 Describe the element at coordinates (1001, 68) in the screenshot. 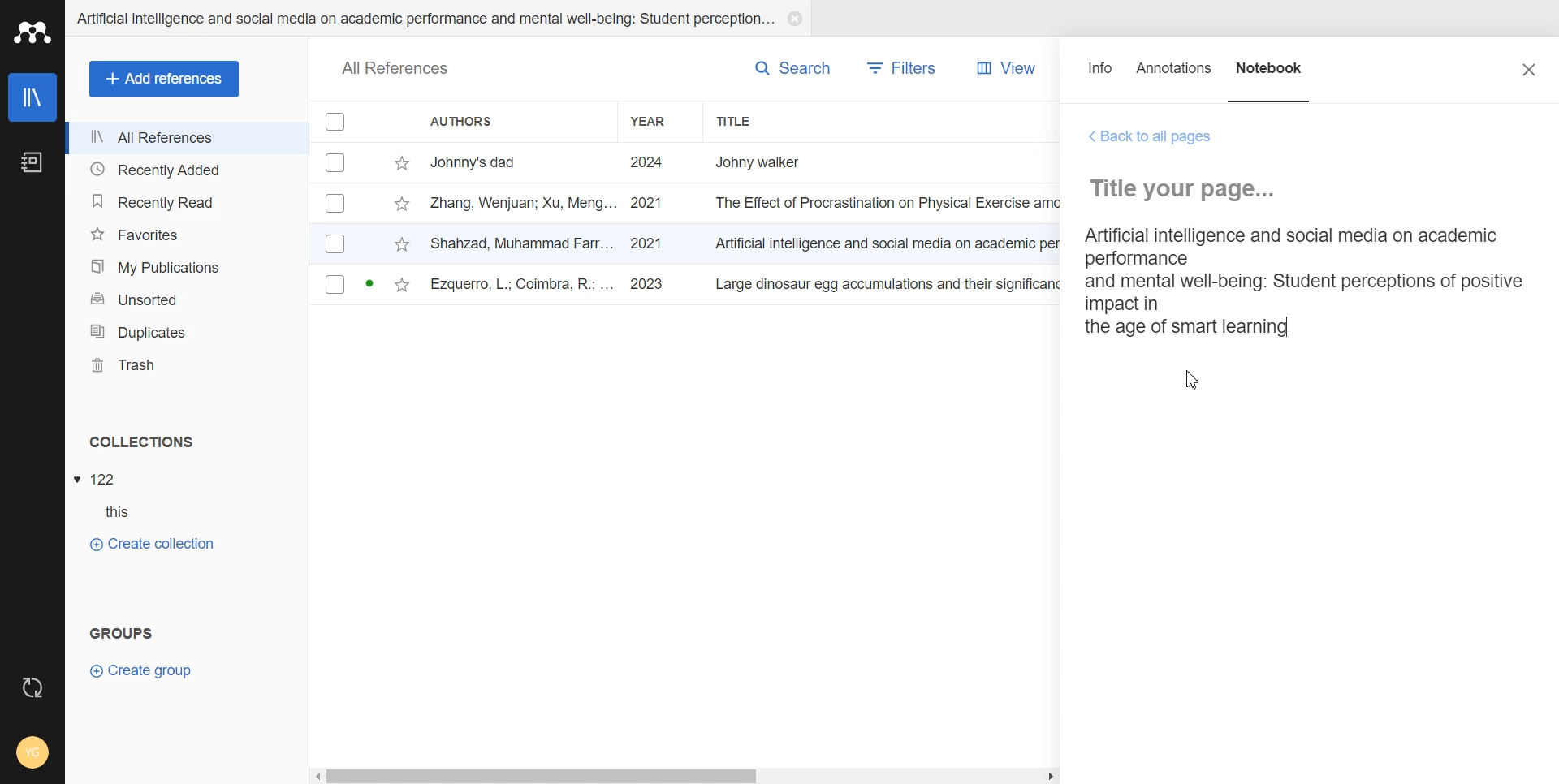

I see `View` at that location.